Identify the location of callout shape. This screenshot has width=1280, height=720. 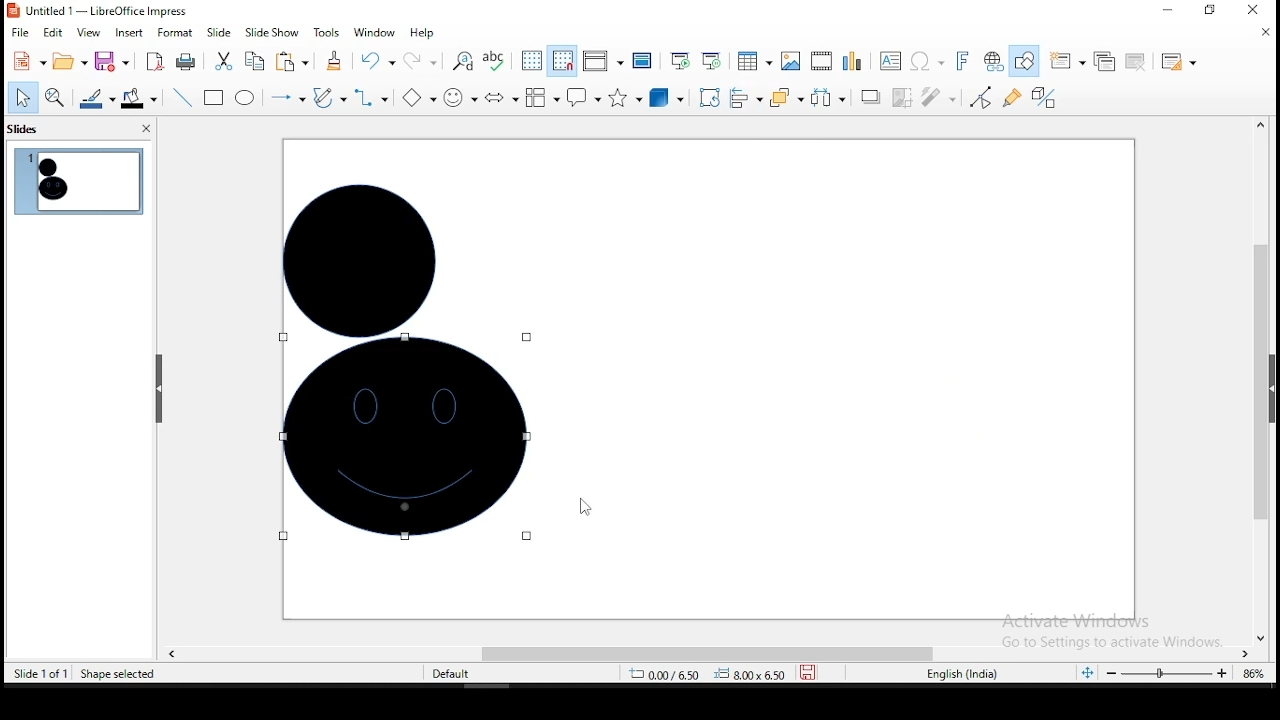
(582, 98).